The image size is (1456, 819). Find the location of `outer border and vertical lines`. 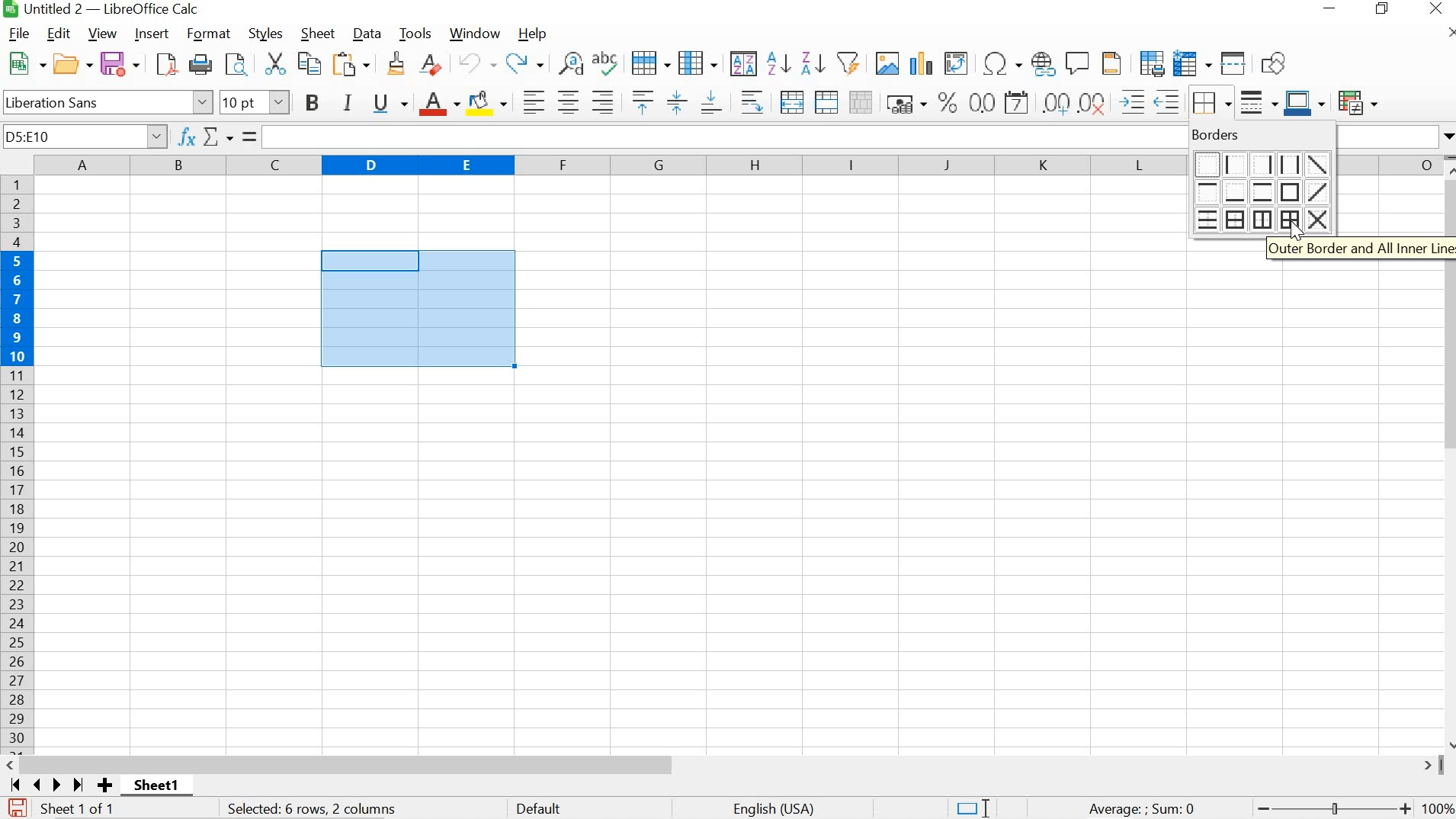

outer border and vertical lines is located at coordinates (1262, 218).